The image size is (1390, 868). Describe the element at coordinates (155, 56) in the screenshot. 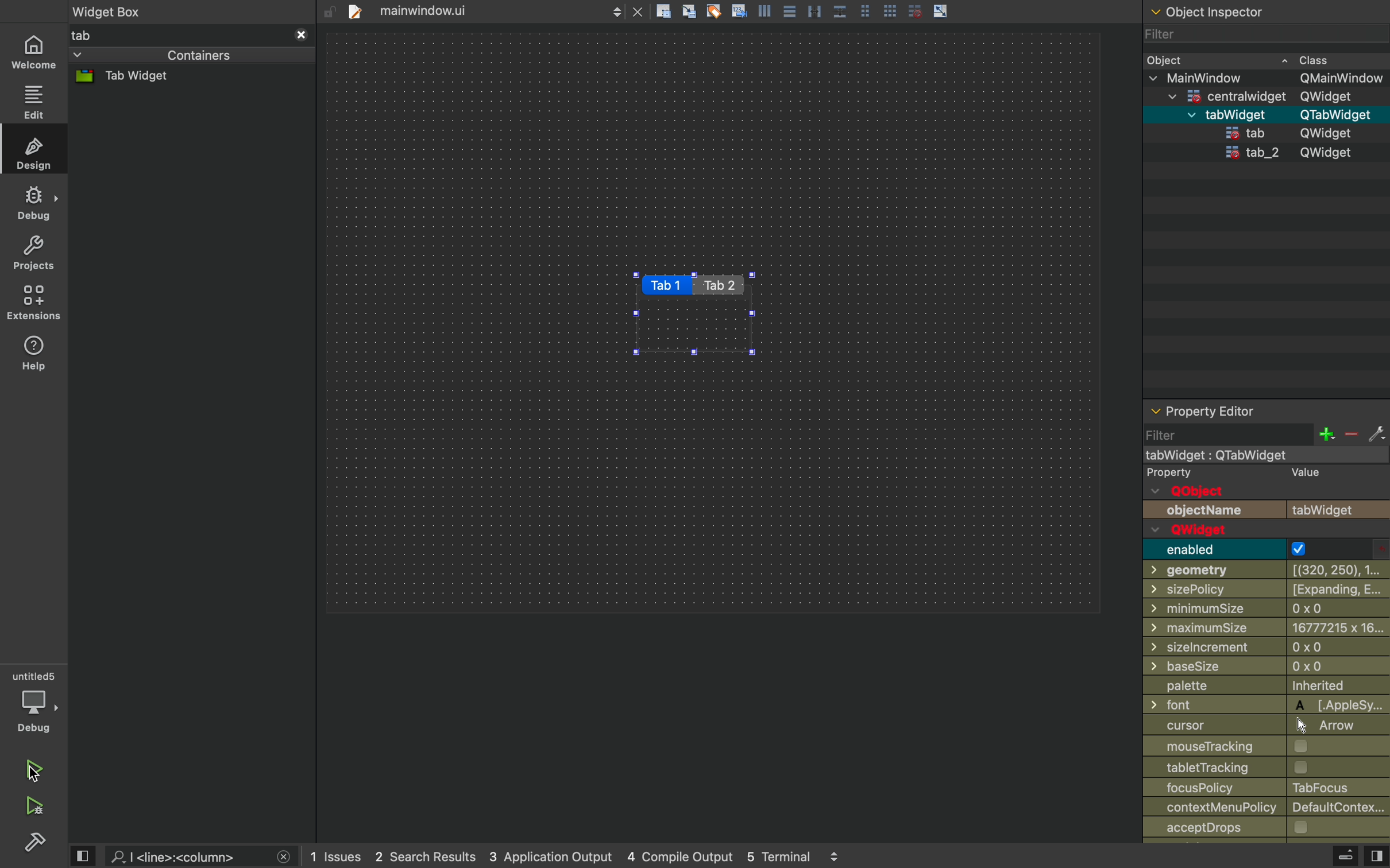

I see `containers` at that location.